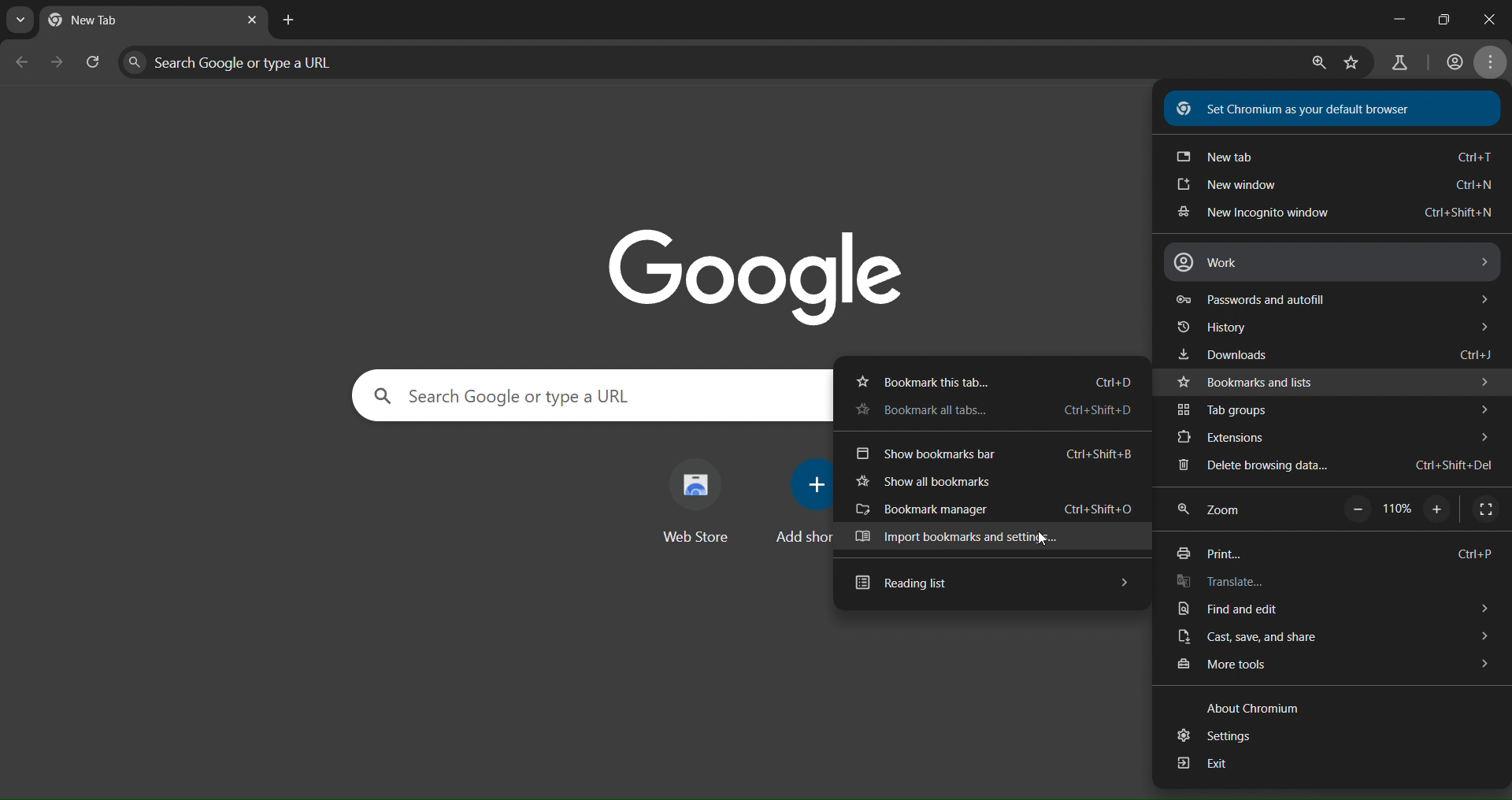 The image size is (1512, 800). What do you see at coordinates (285, 20) in the screenshot?
I see `new tab` at bounding box center [285, 20].